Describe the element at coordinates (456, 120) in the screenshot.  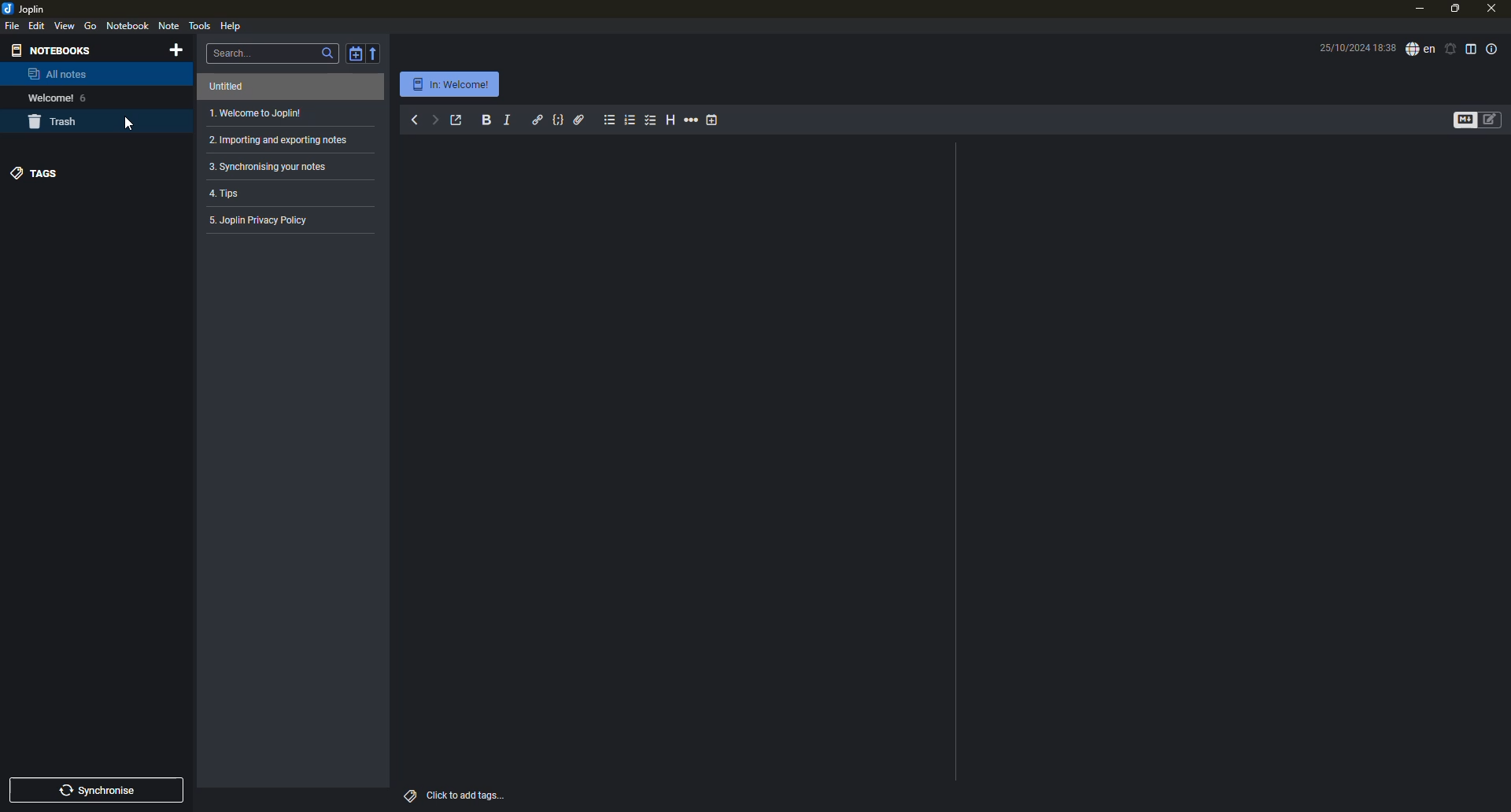
I see `toggle external editing` at that location.